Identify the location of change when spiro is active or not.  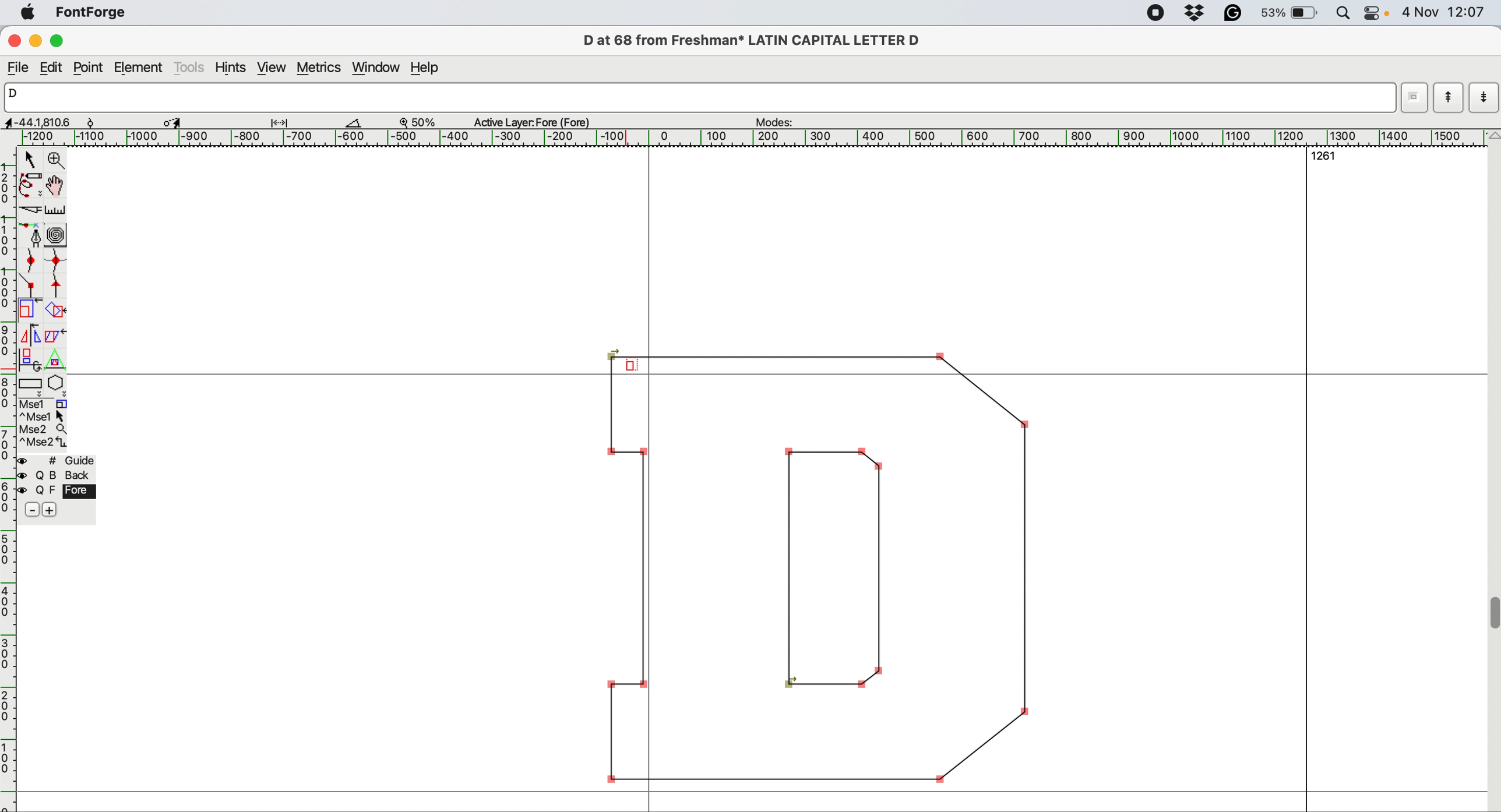
(57, 236).